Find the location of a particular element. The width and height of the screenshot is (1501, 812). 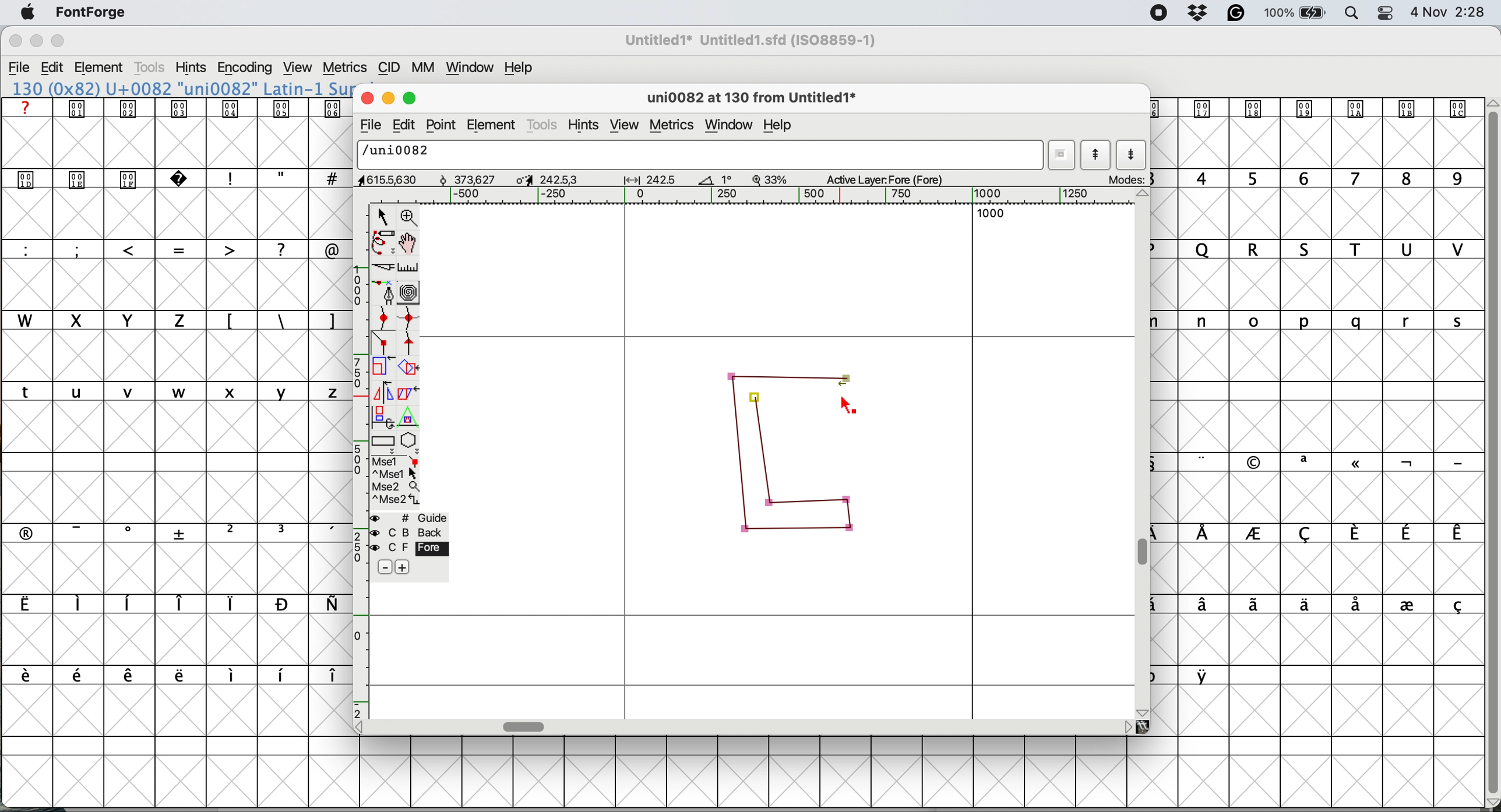

symbols is located at coordinates (181, 676).